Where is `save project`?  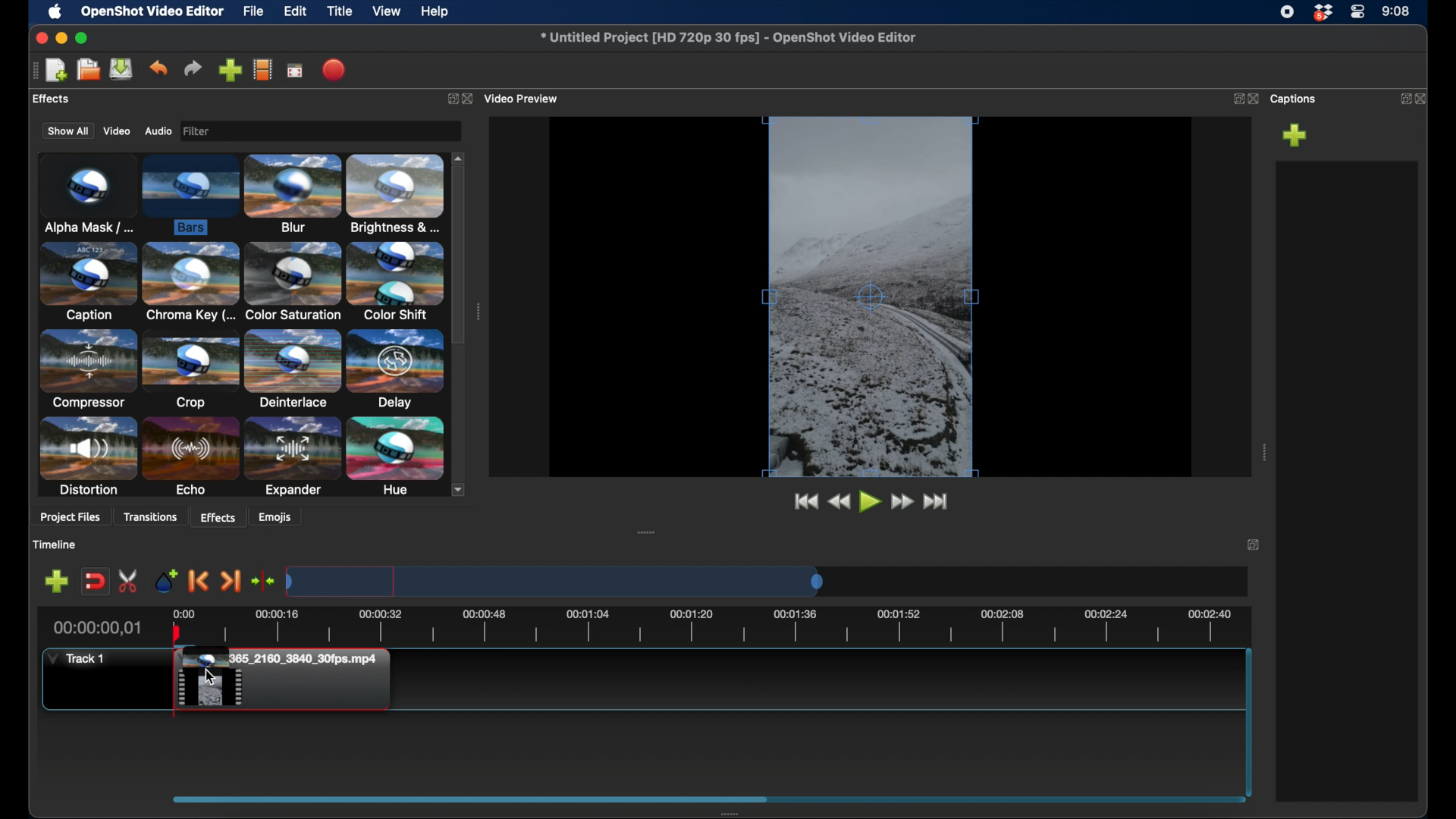
save project is located at coordinates (122, 70).